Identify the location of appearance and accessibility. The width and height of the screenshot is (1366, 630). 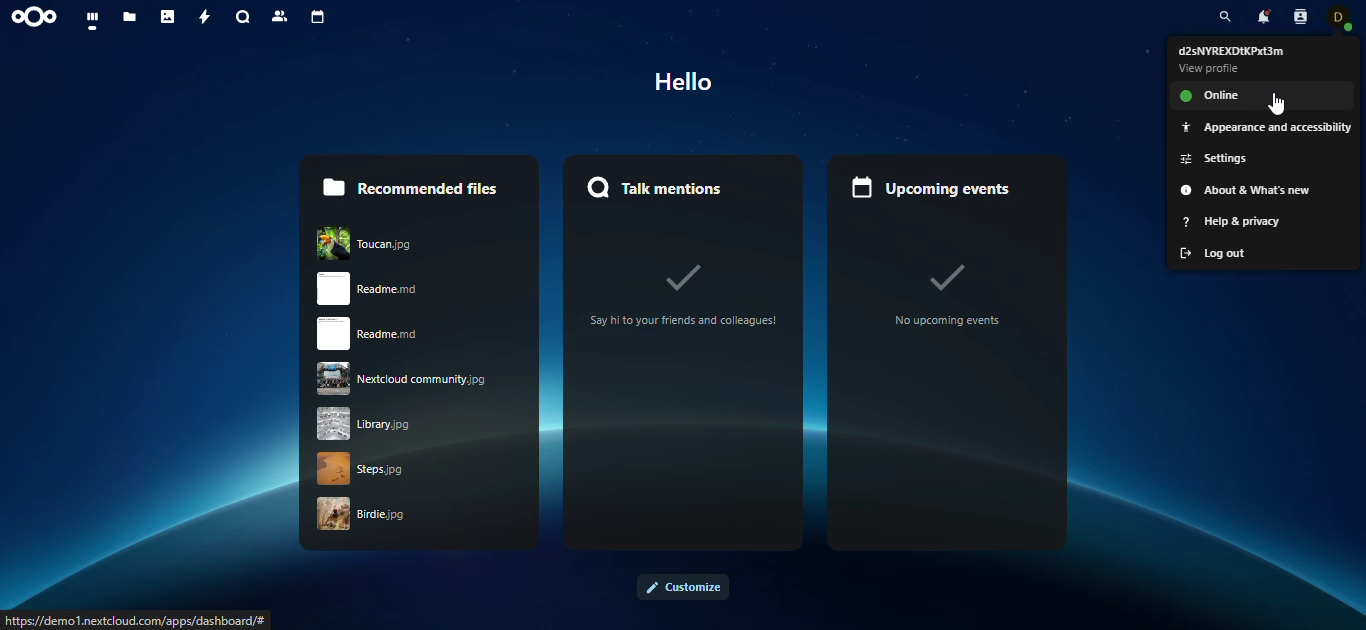
(1264, 127).